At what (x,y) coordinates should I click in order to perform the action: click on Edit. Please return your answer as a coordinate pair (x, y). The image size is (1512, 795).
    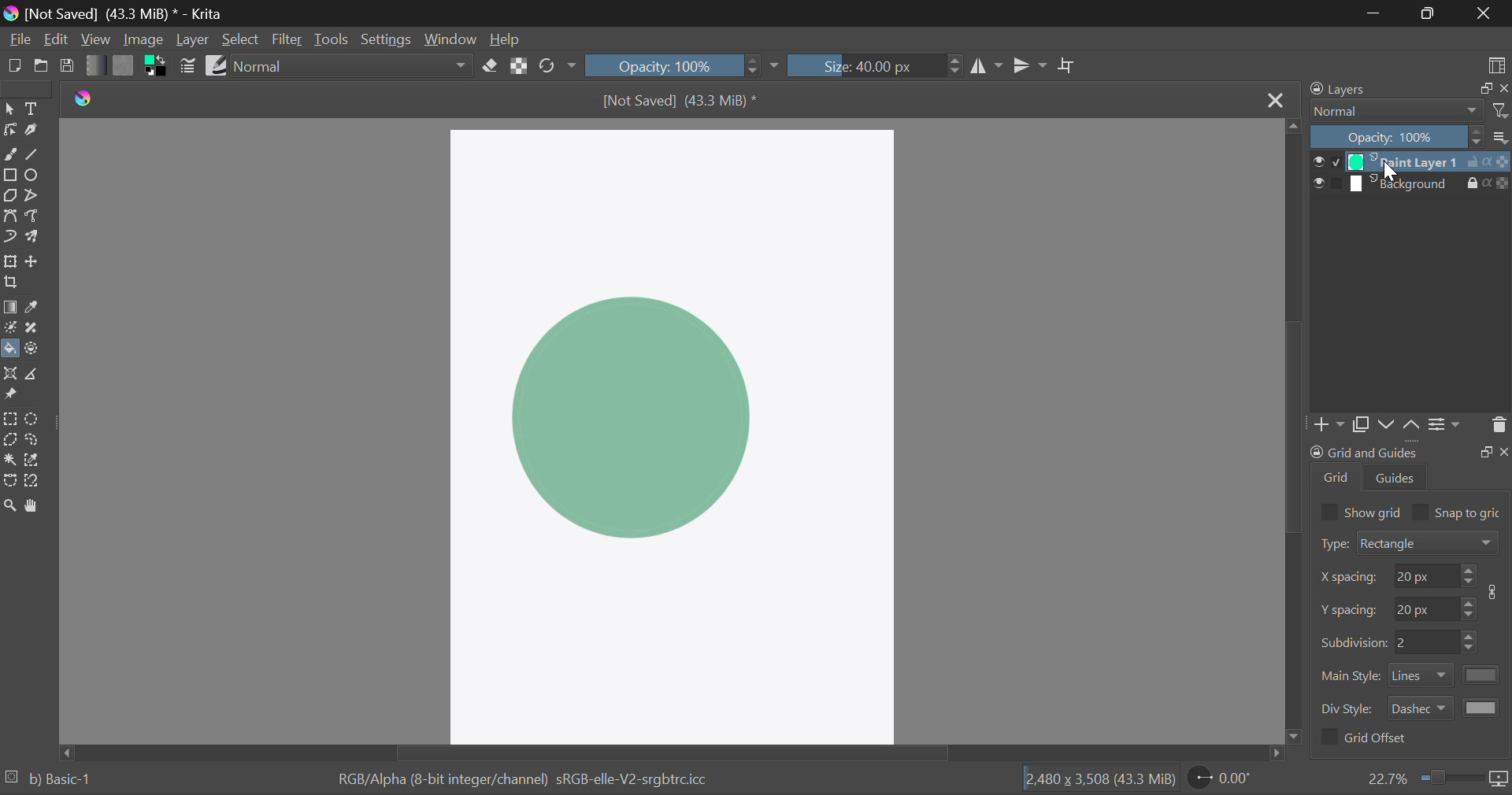
    Looking at the image, I should click on (57, 39).